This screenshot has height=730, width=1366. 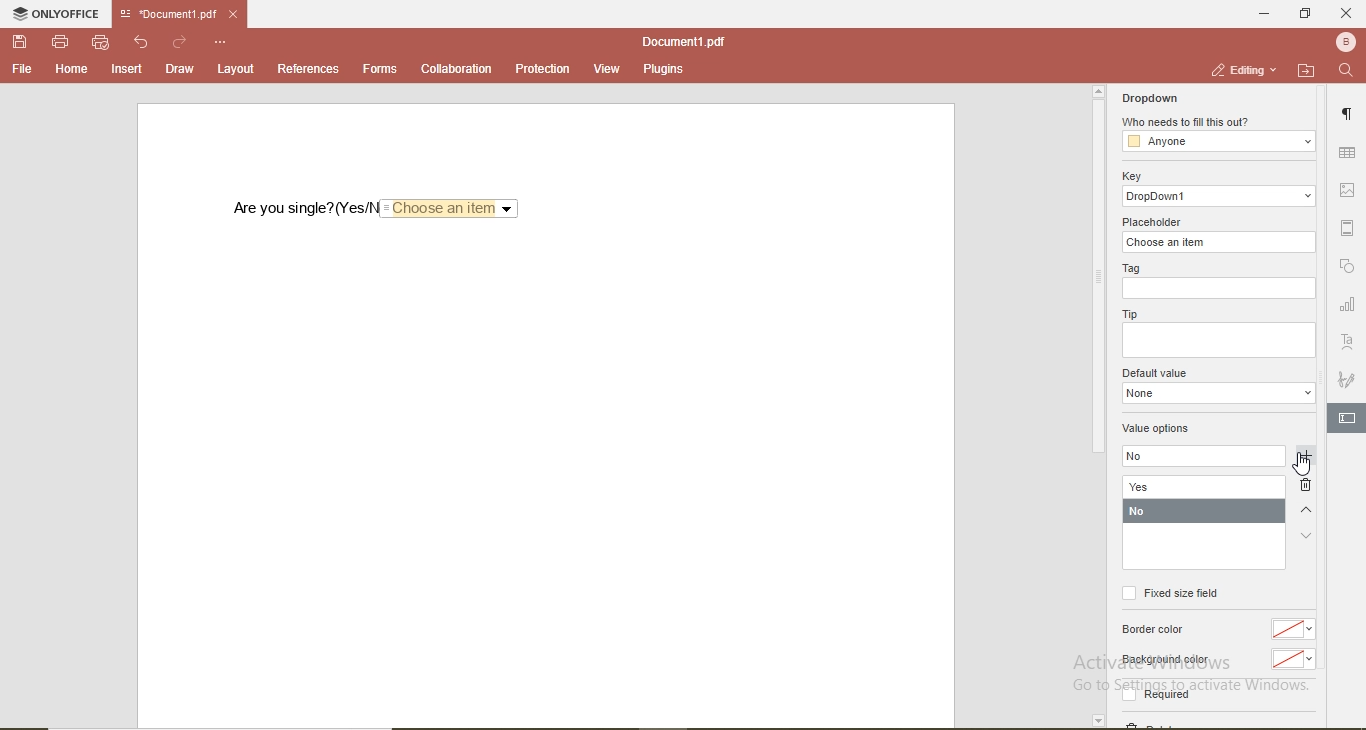 What do you see at coordinates (1156, 629) in the screenshot?
I see `Border color` at bounding box center [1156, 629].